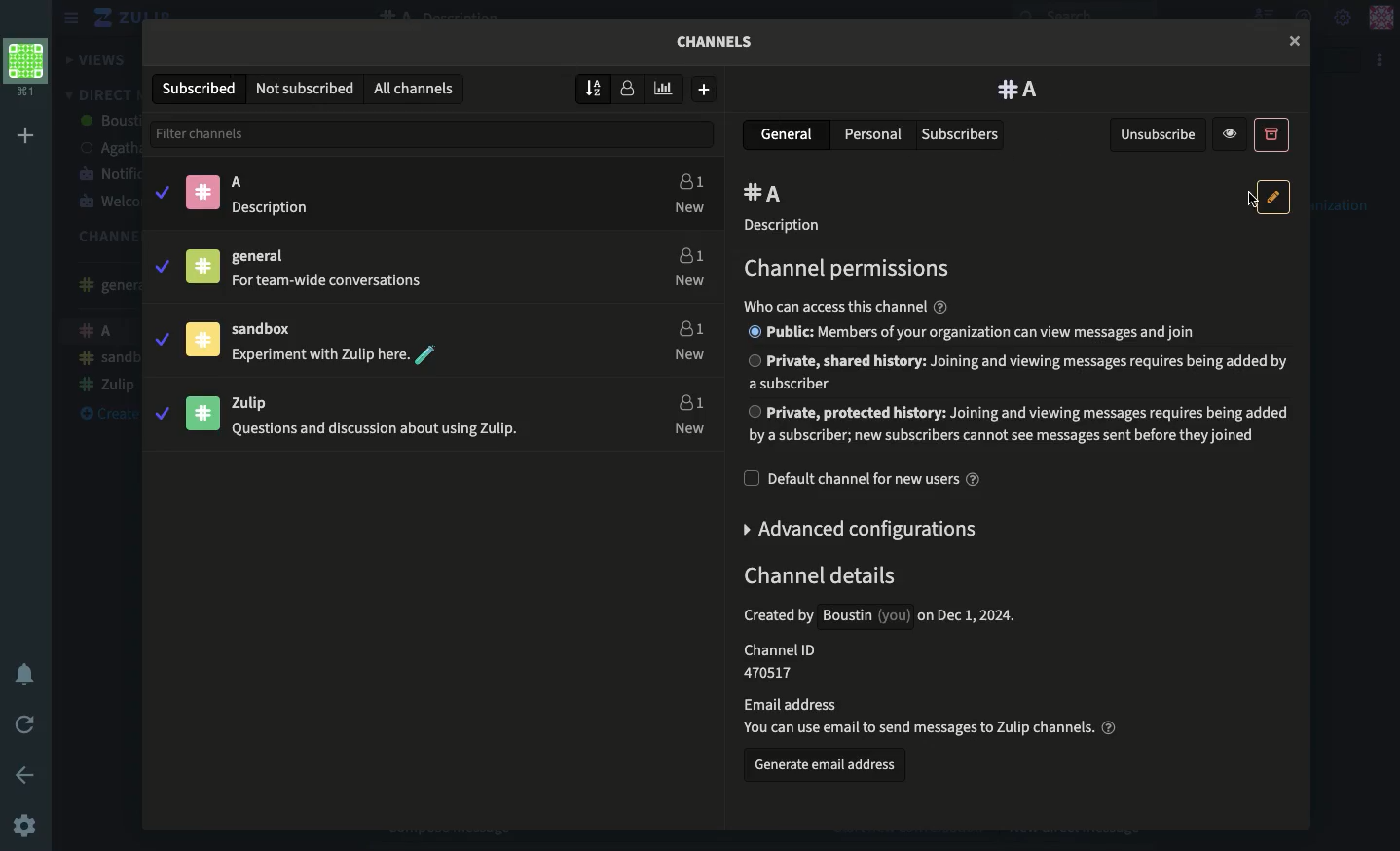 The width and height of the screenshot is (1400, 851). I want to click on Subscribed, so click(202, 89).